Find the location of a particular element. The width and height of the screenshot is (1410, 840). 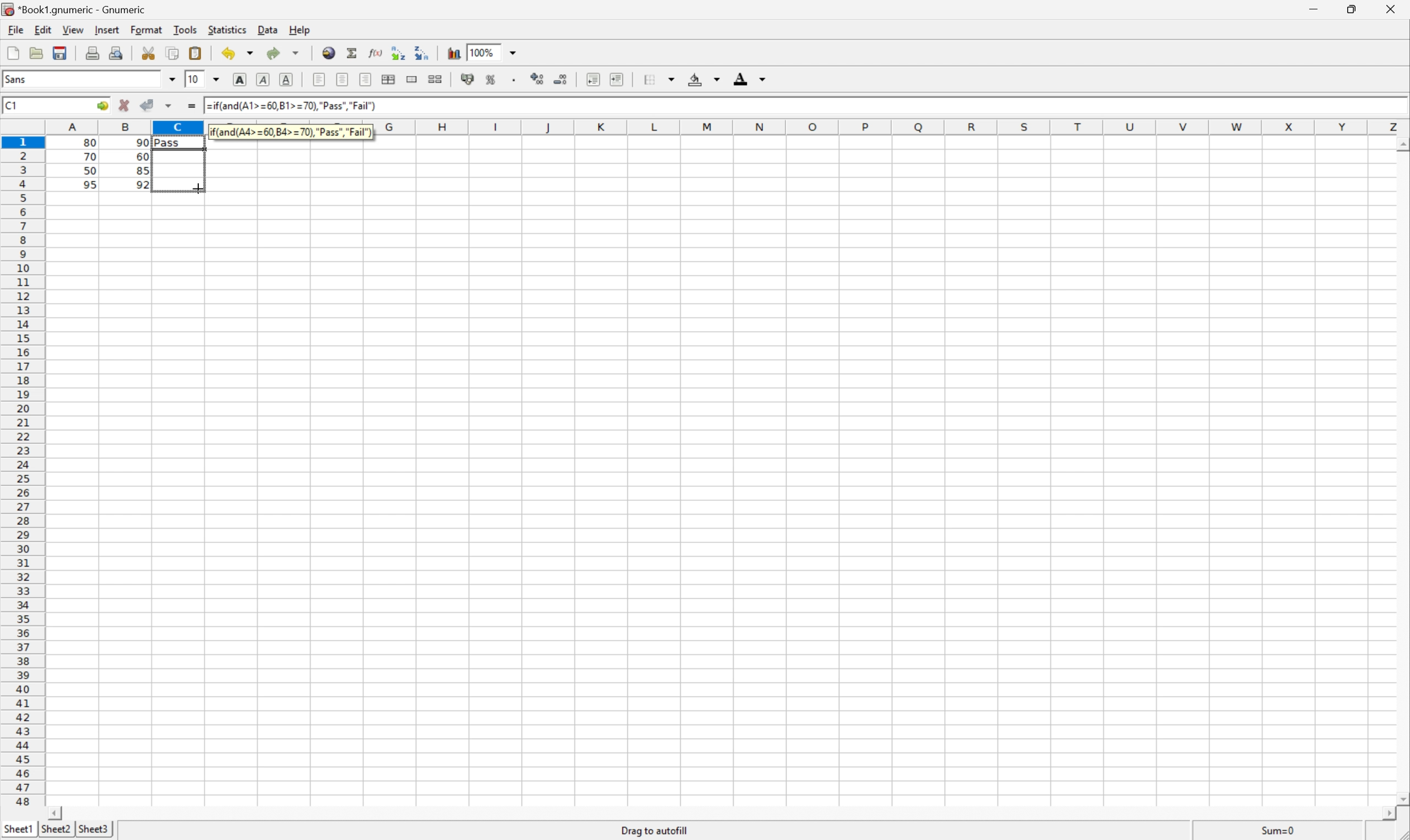

Center horizontally is located at coordinates (343, 80).